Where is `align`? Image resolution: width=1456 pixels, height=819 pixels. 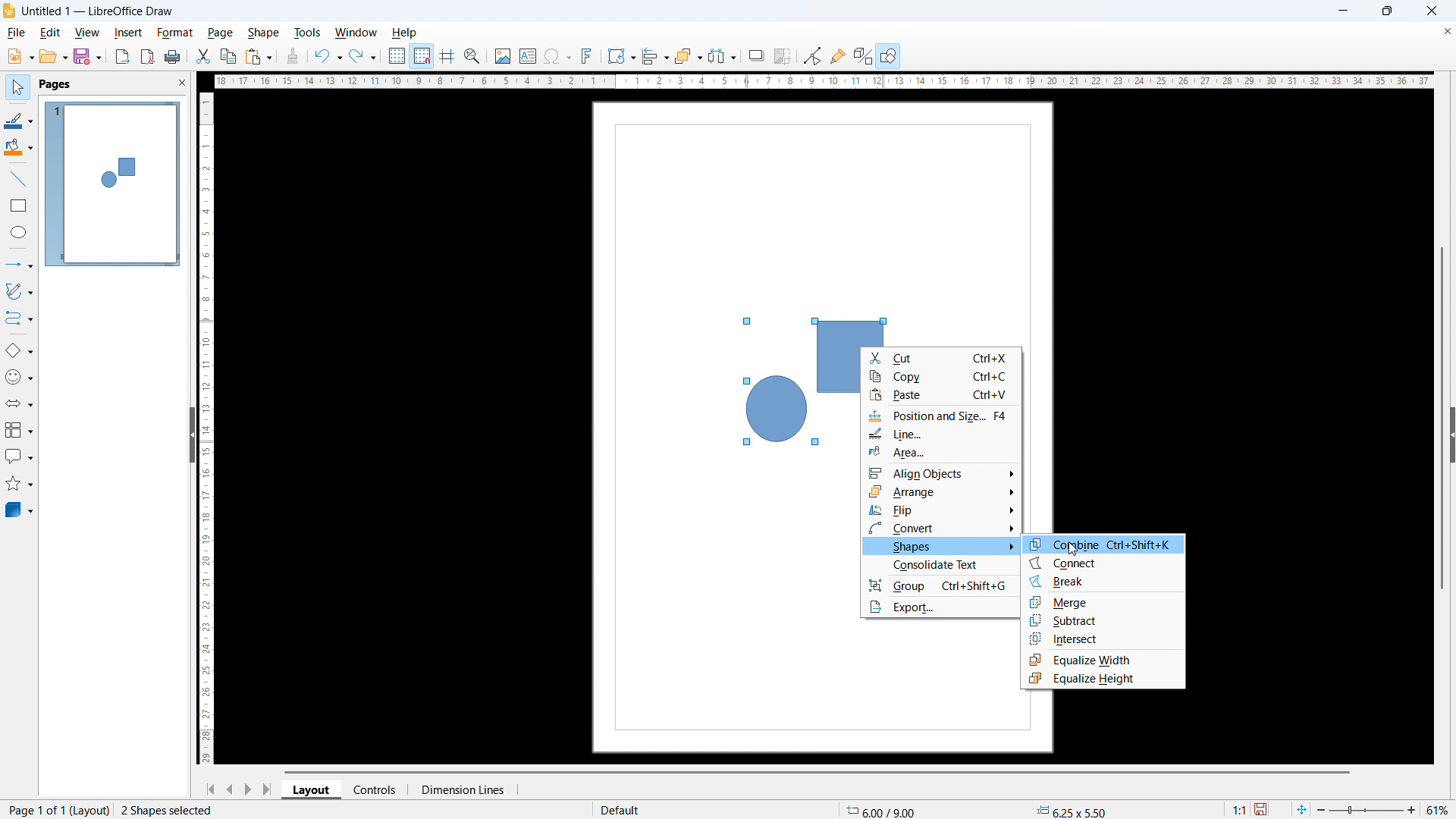 align is located at coordinates (654, 57).